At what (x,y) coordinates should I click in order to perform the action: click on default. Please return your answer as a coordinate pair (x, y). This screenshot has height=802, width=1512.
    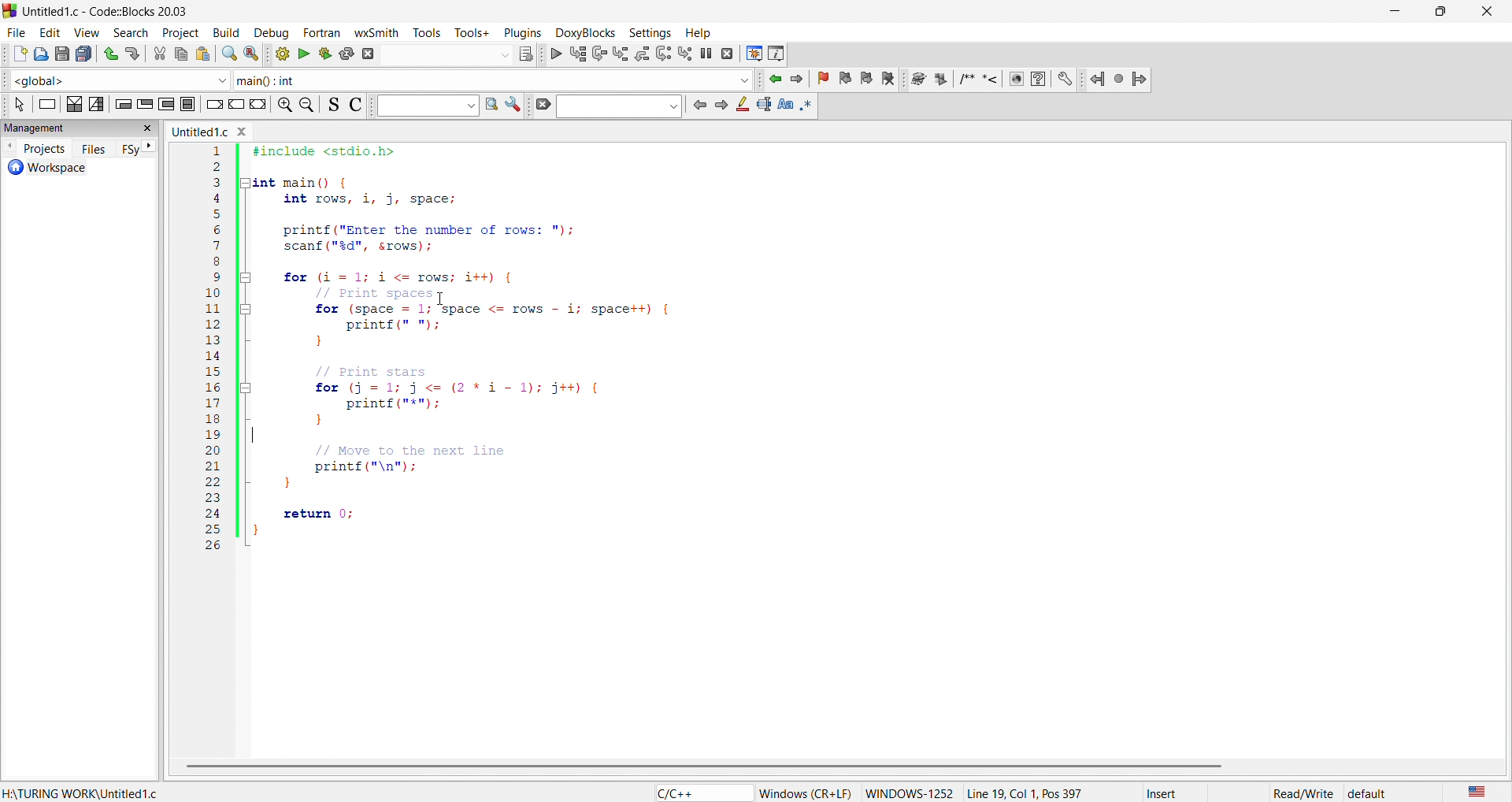
    Looking at the image, I should click on (1368, 793).